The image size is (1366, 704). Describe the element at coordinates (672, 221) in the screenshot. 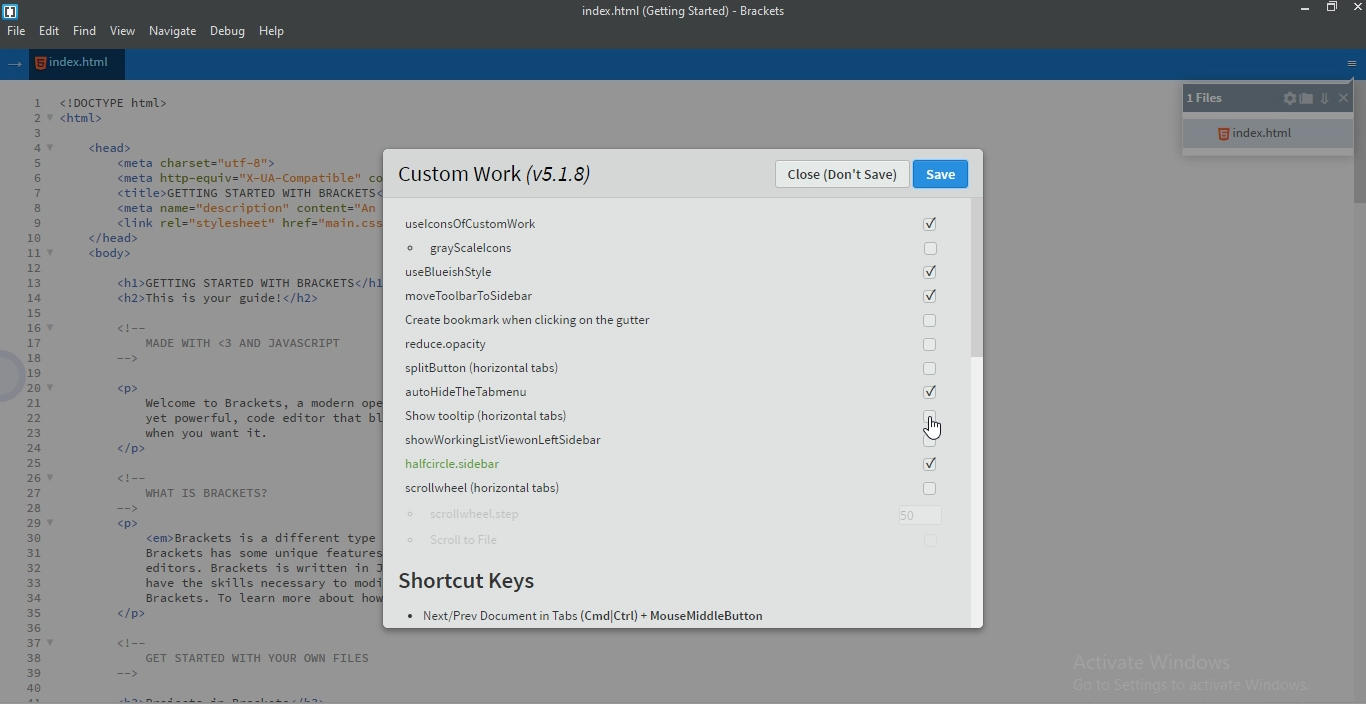

I see `uselconsOfCustomWork` at that location.